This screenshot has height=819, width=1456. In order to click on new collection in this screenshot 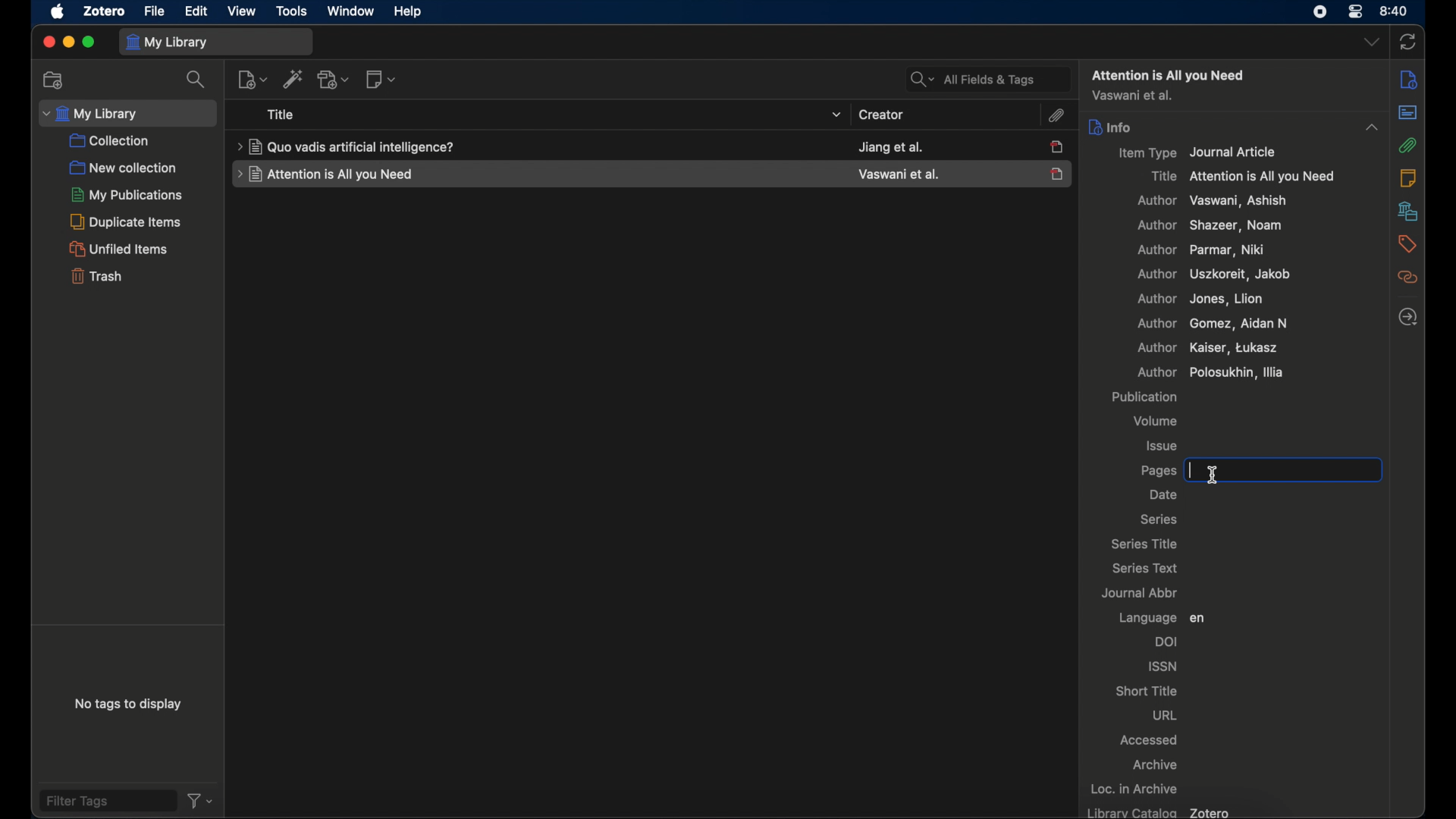, I will do `click(123, 168)`.